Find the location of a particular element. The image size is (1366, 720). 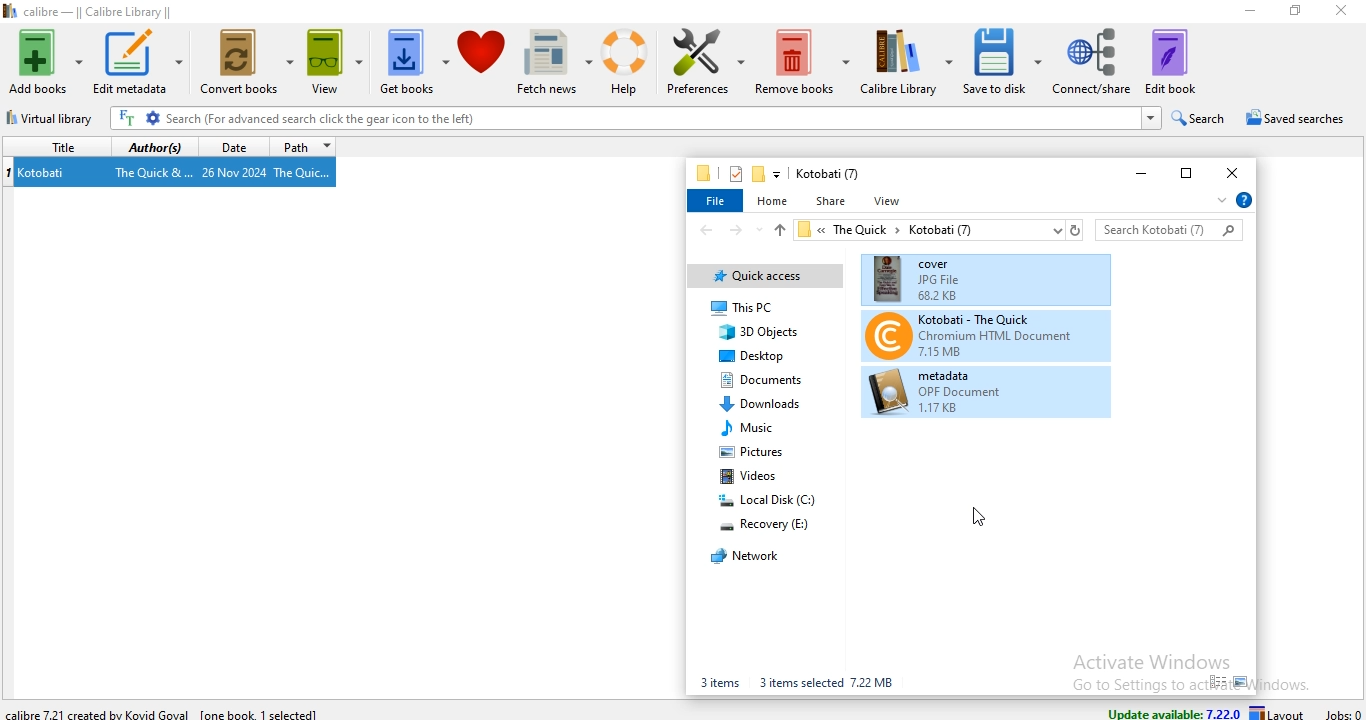

Kotobati-The Quick(book files) is located at coordinates (970, 336).